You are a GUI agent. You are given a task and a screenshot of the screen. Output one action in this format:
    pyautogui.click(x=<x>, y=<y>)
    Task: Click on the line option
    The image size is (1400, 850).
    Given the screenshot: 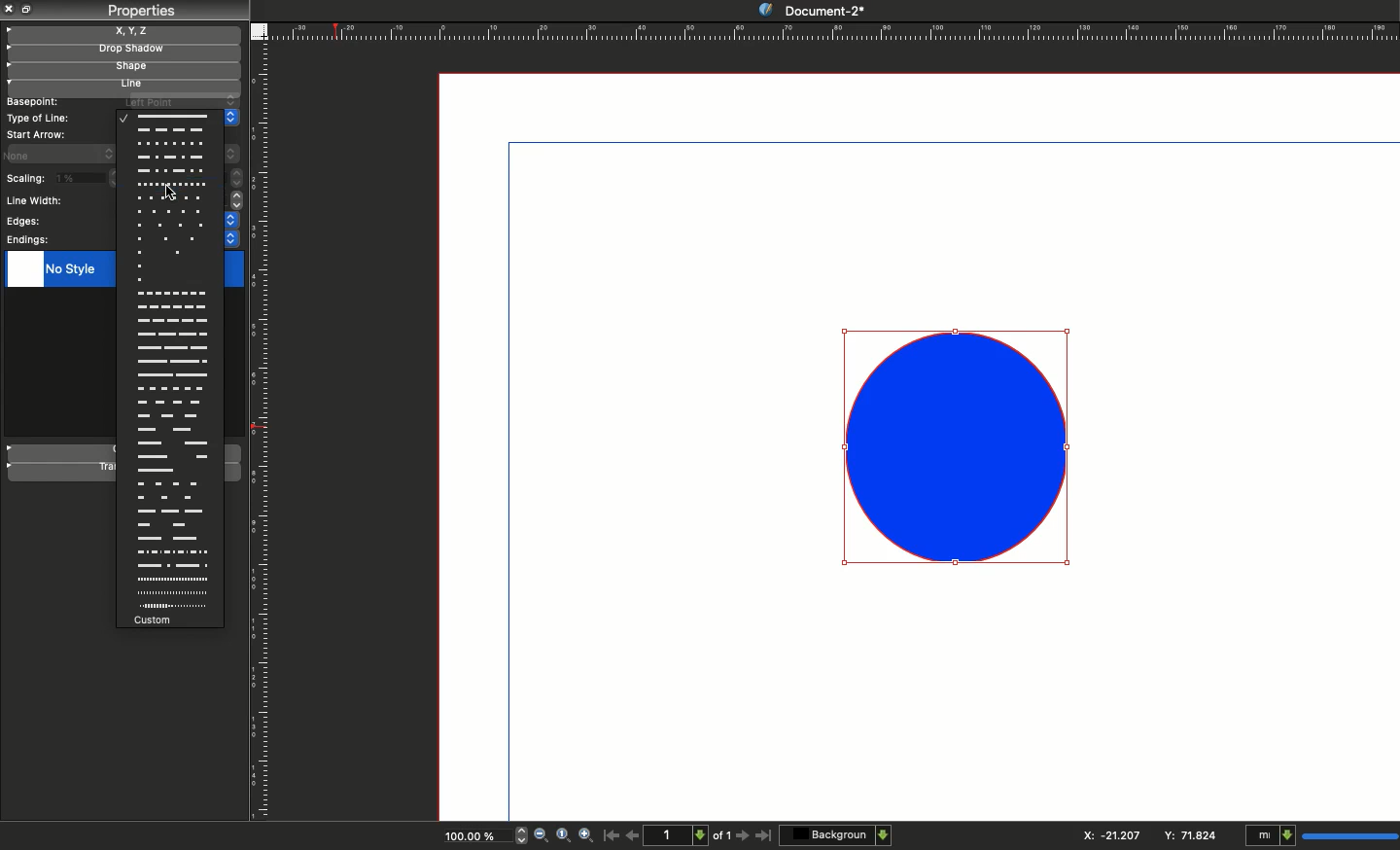 What is the action you would take?
    pyautogui.click(x=171, y=403)
    